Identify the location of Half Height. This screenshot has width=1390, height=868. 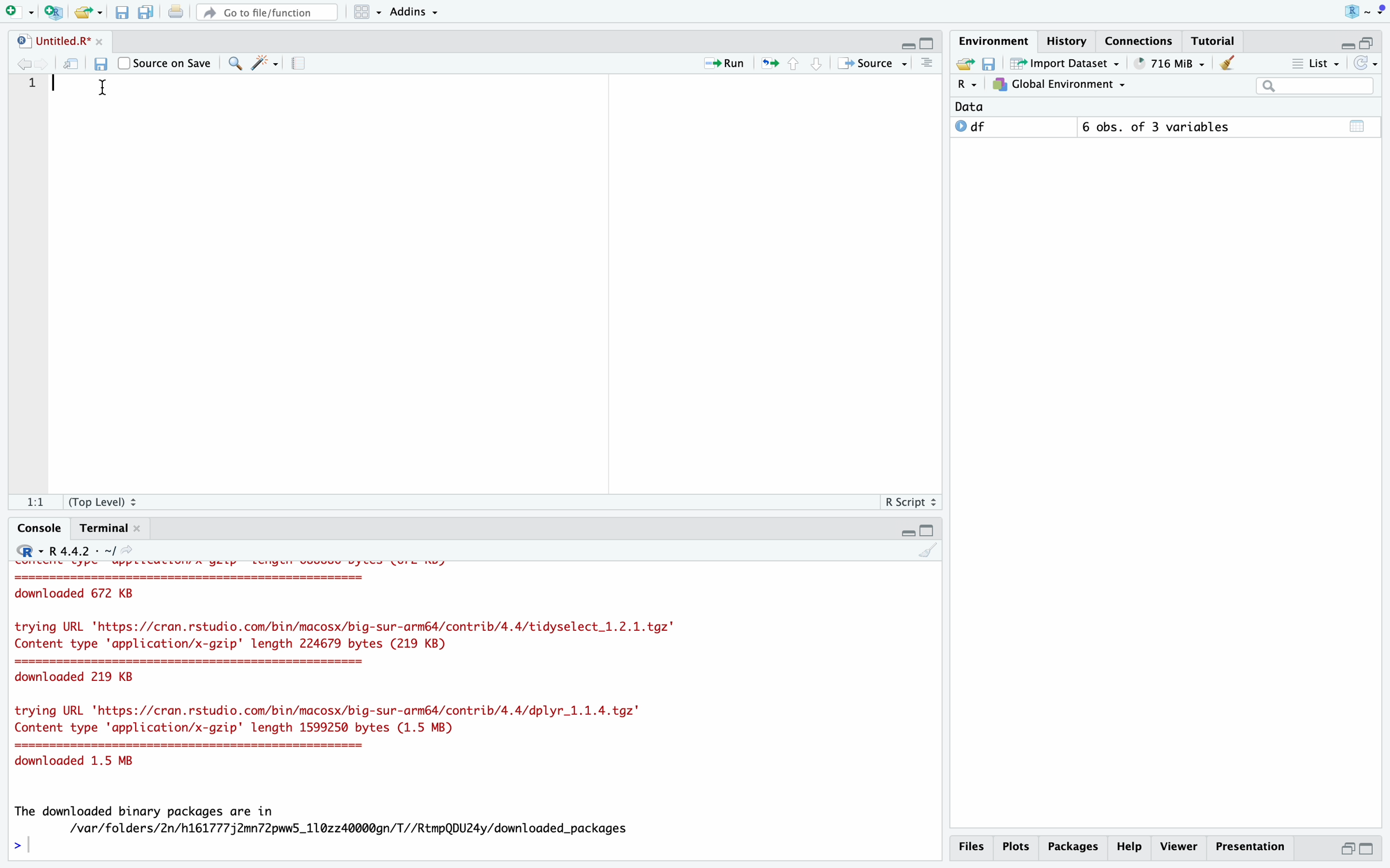
(1370, 42).